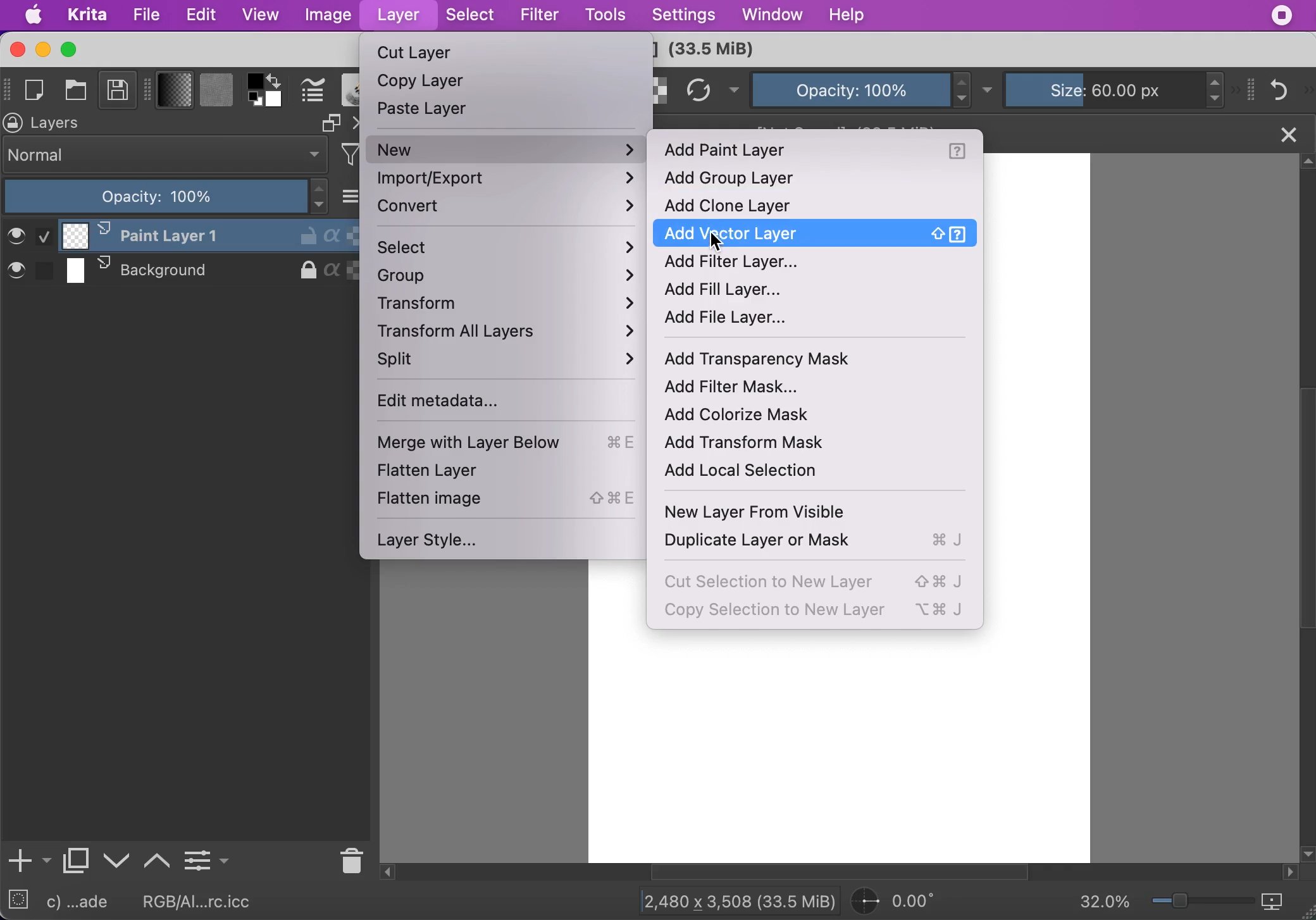 Image resolution: width=1316 pixels, height=920 pixels. I want to click on krita, so click(89, 16).